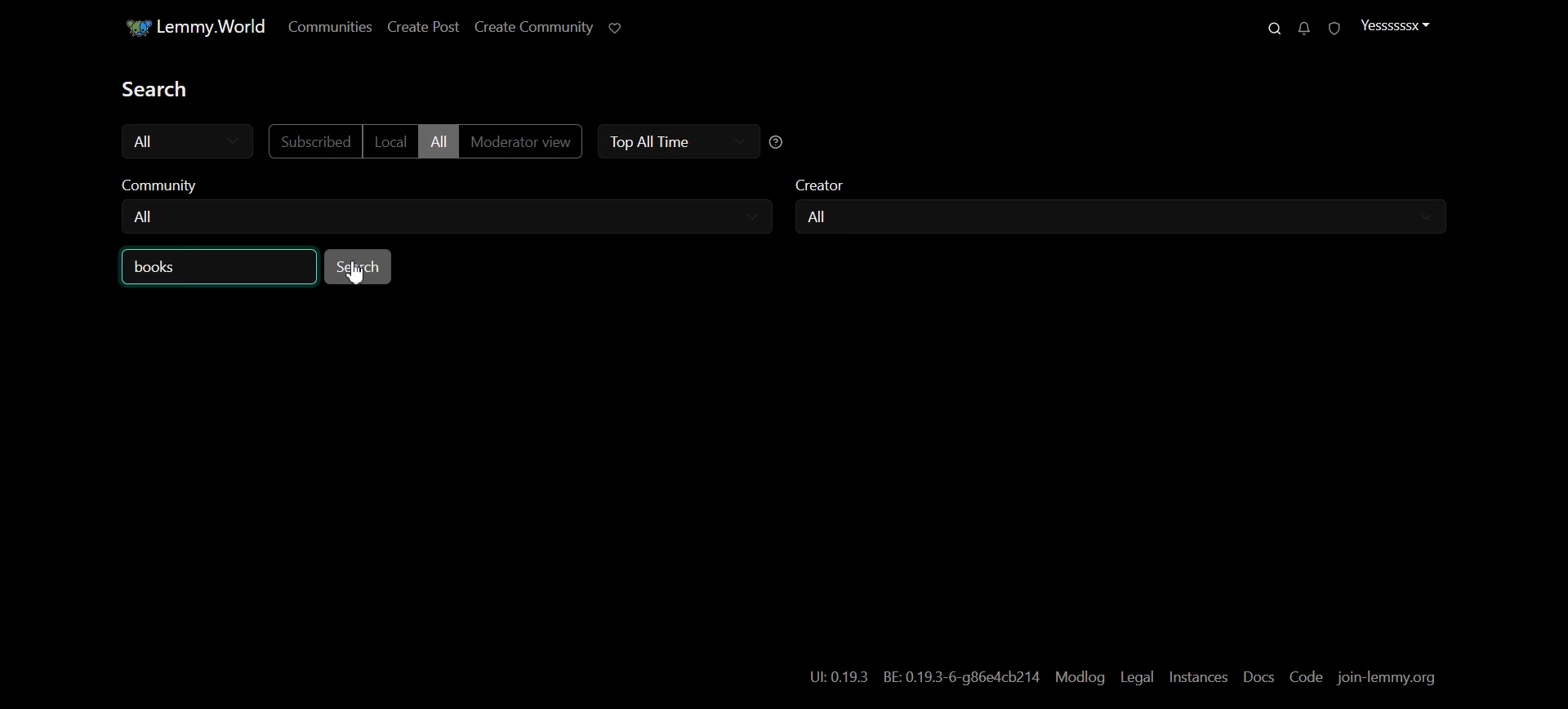  I want to click on All, so click(184, 140).